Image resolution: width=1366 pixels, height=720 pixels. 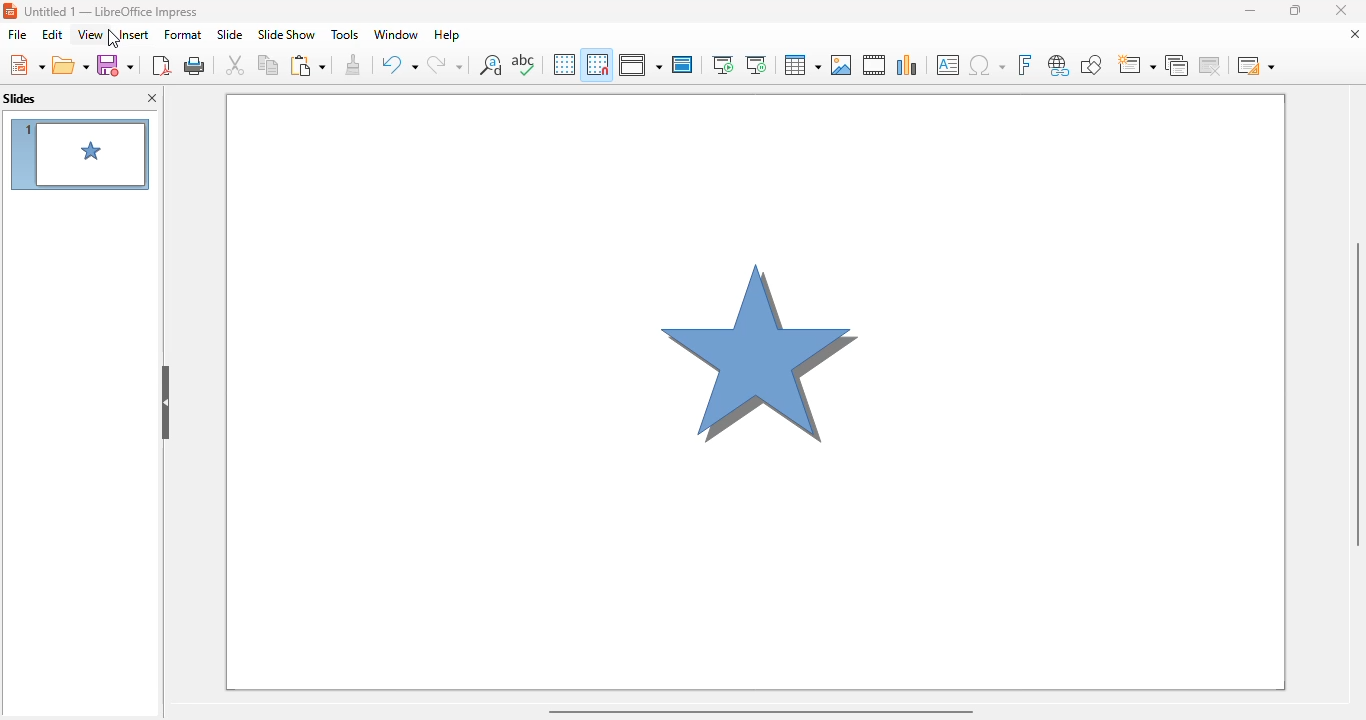 What do you see at coordinates (161, 64) in the screenshot?
I see `export directly as PDF` at bounding box center [161, 64].